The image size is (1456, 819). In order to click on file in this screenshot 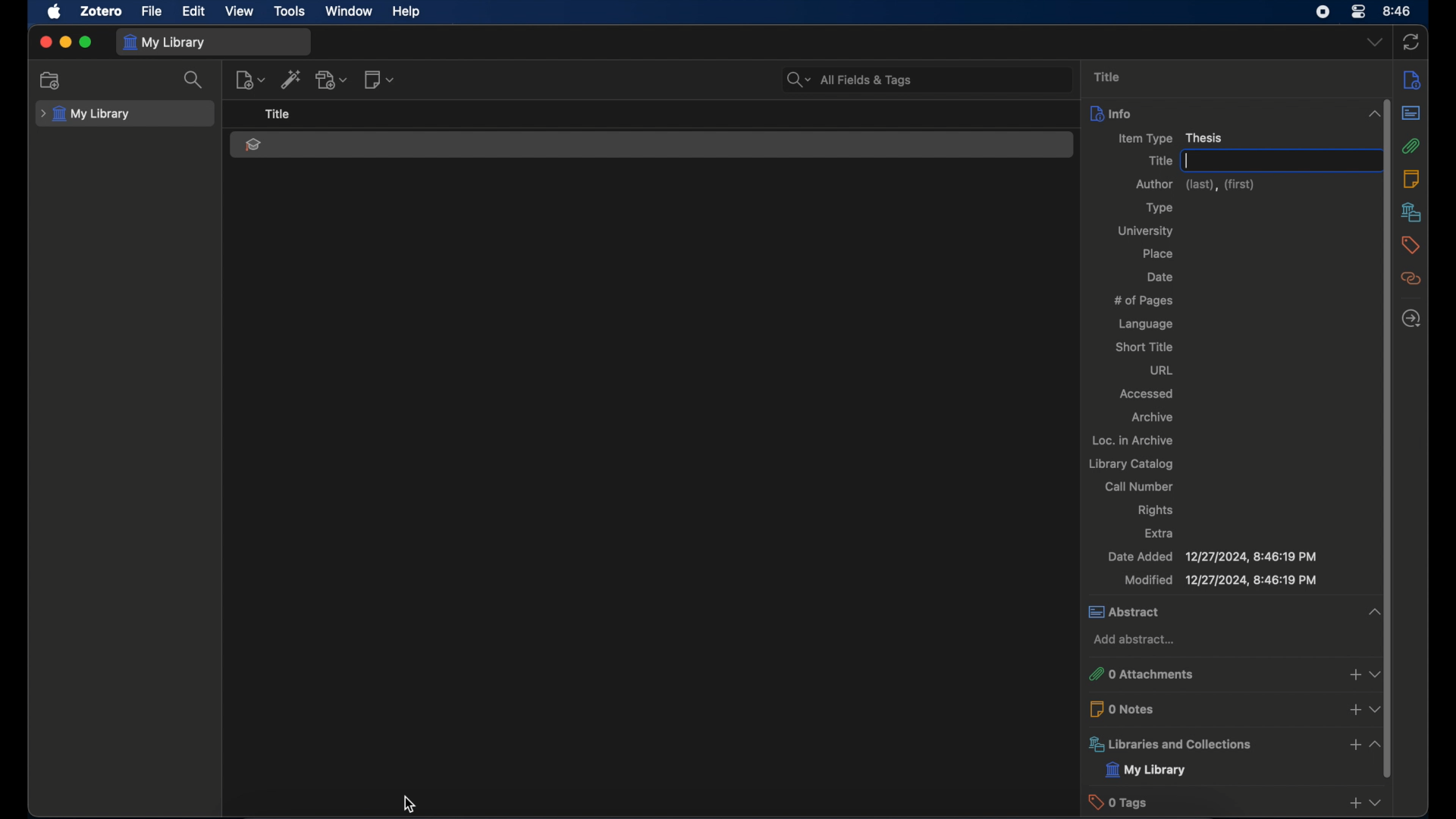, I will do `click(151, 11)`.